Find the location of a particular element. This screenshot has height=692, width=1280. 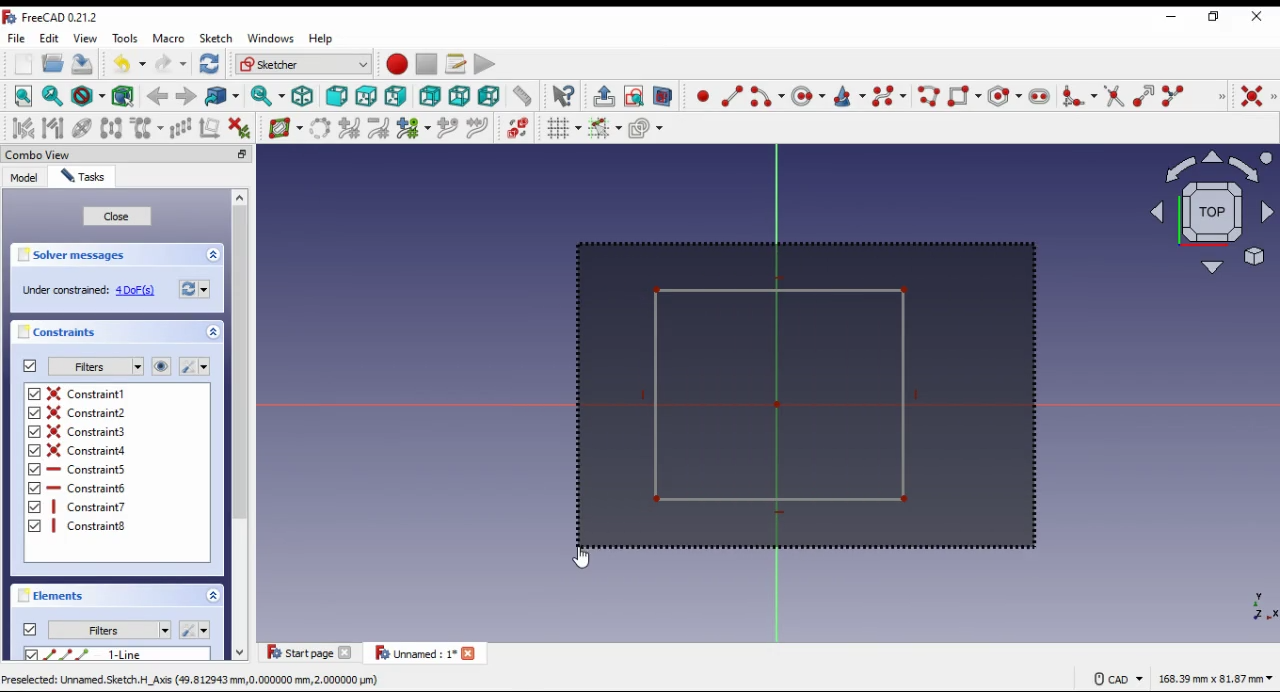

fit selection is located at coordinates (53, 96).